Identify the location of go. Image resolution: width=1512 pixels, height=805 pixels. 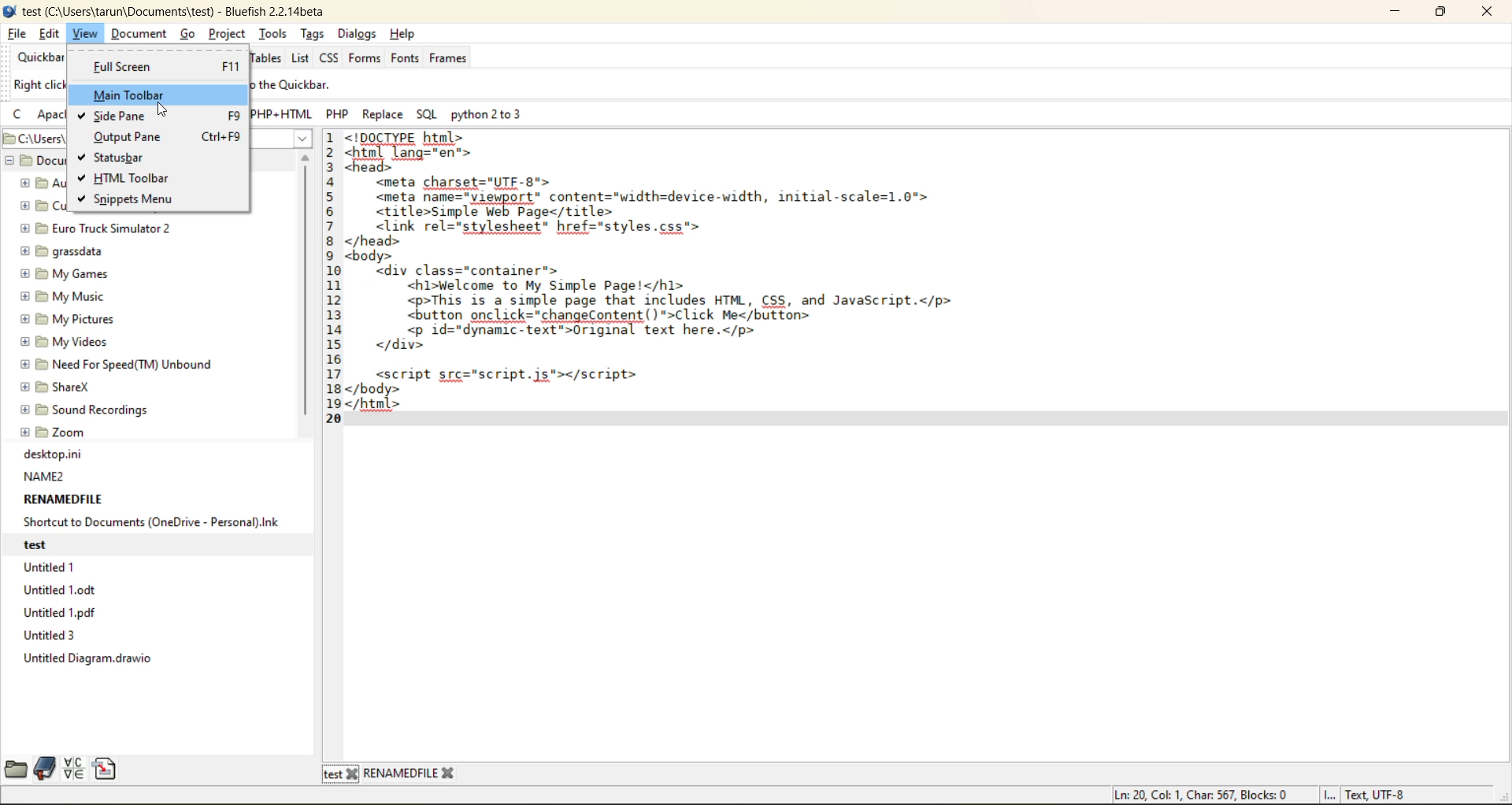
(190, 35).